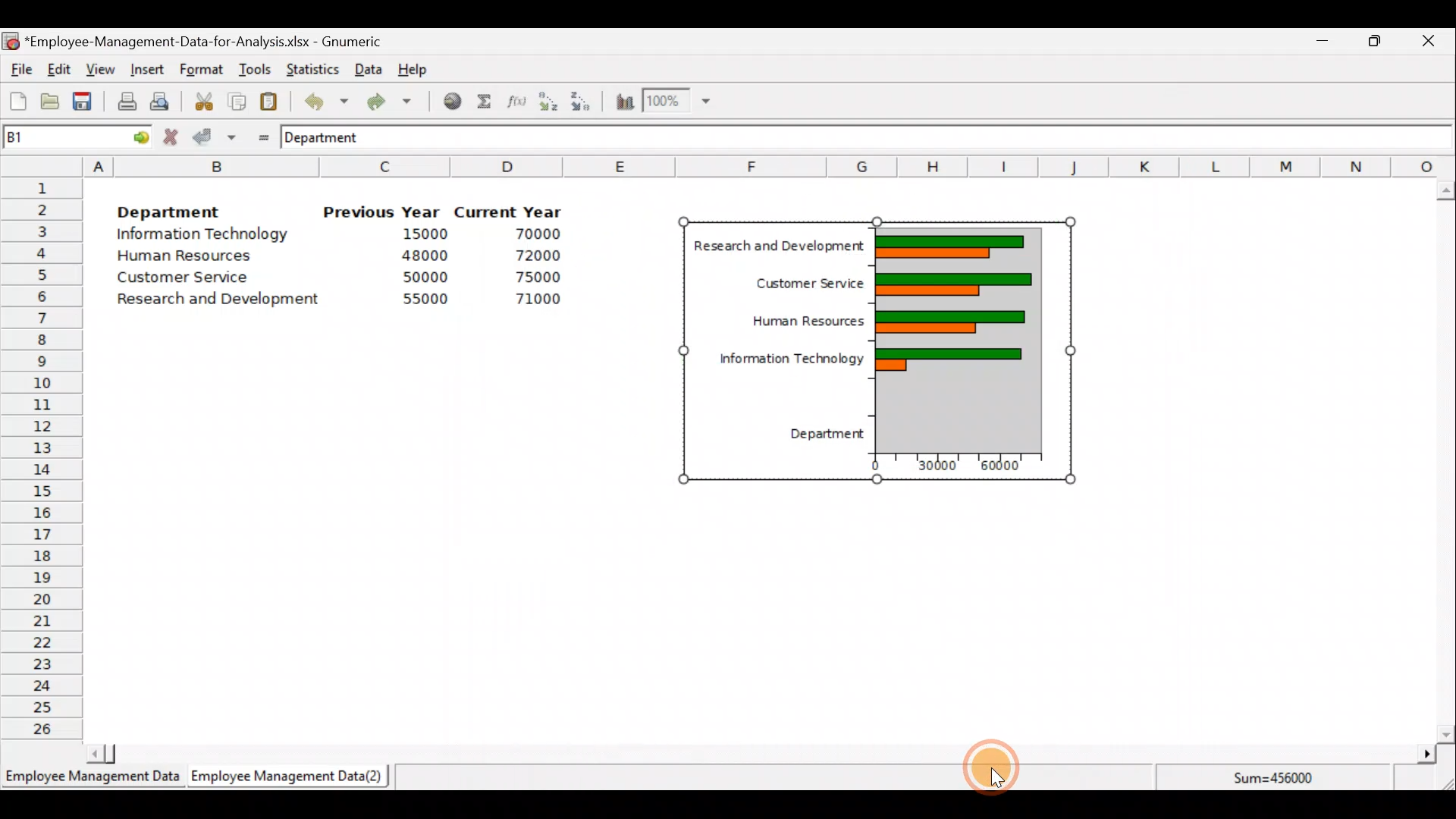  What do you see at coordinates (60, 71) in the screenshot?
I see `Edit` at bounding box center [60, 71].